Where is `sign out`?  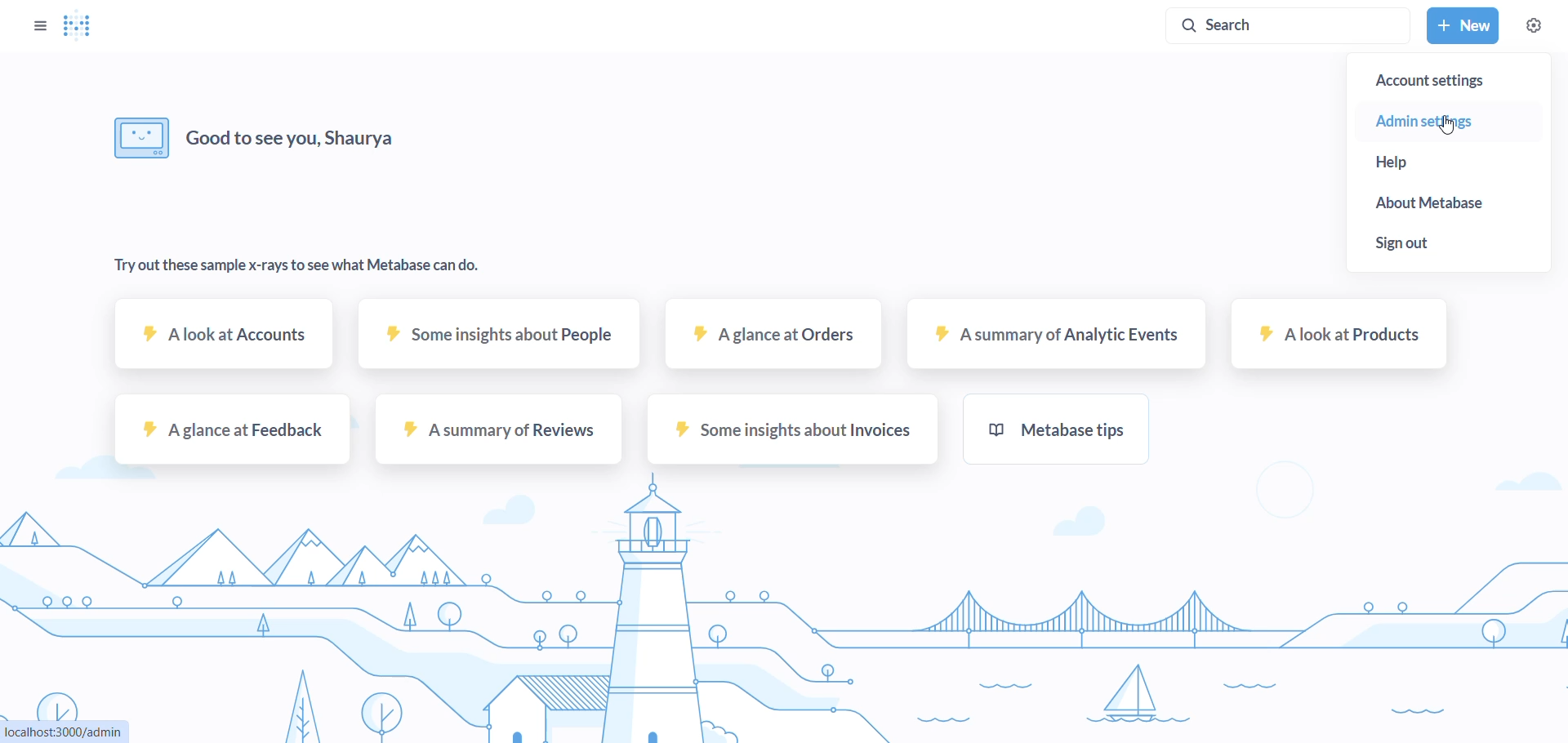 sign out is located at coordinates (1423, 244).